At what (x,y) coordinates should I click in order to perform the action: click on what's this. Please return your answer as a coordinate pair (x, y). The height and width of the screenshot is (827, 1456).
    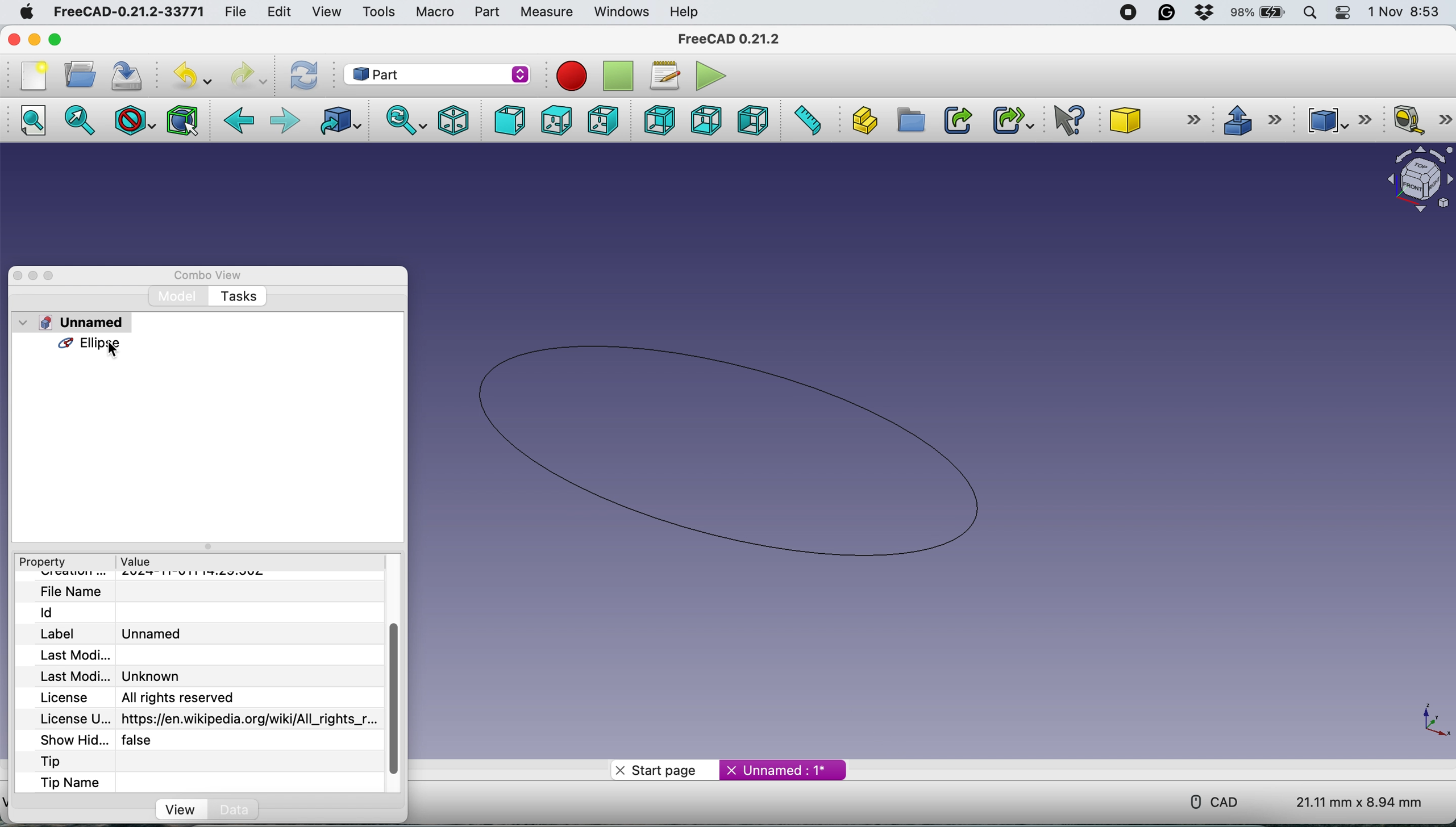
    Looking at the image, I should click on (1072, 121).